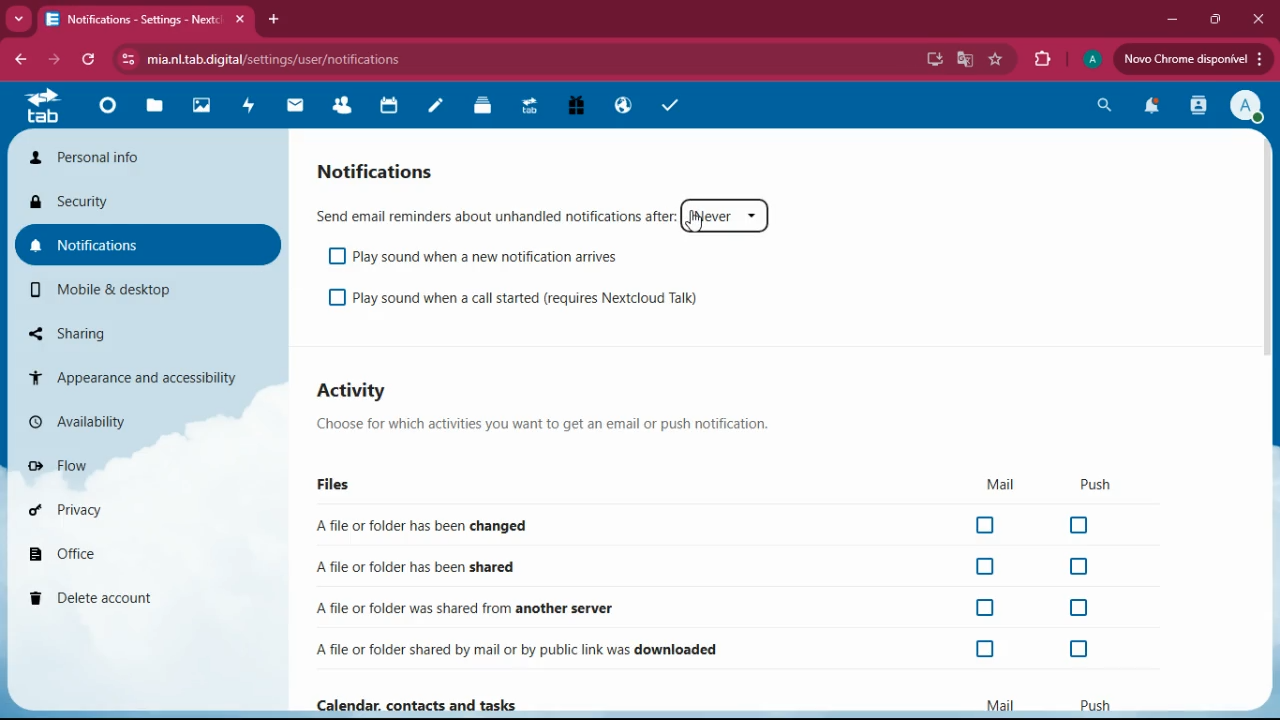 The image size is (1280, 720). What do you see at coordinates (624, 106) in the screenshot?
I see `public` at bounding box center [624, 106].